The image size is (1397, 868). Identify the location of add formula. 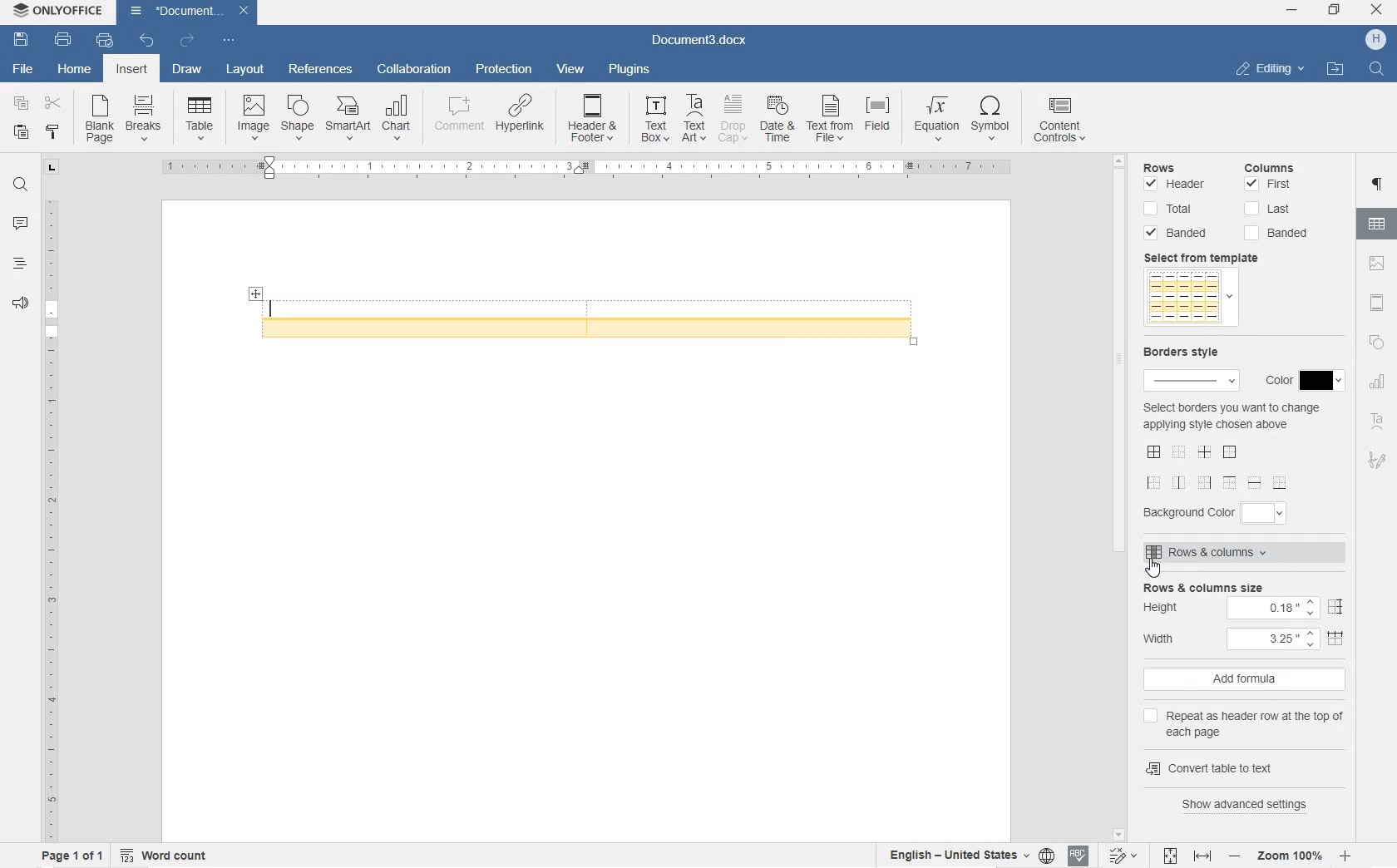
(1246, 680).